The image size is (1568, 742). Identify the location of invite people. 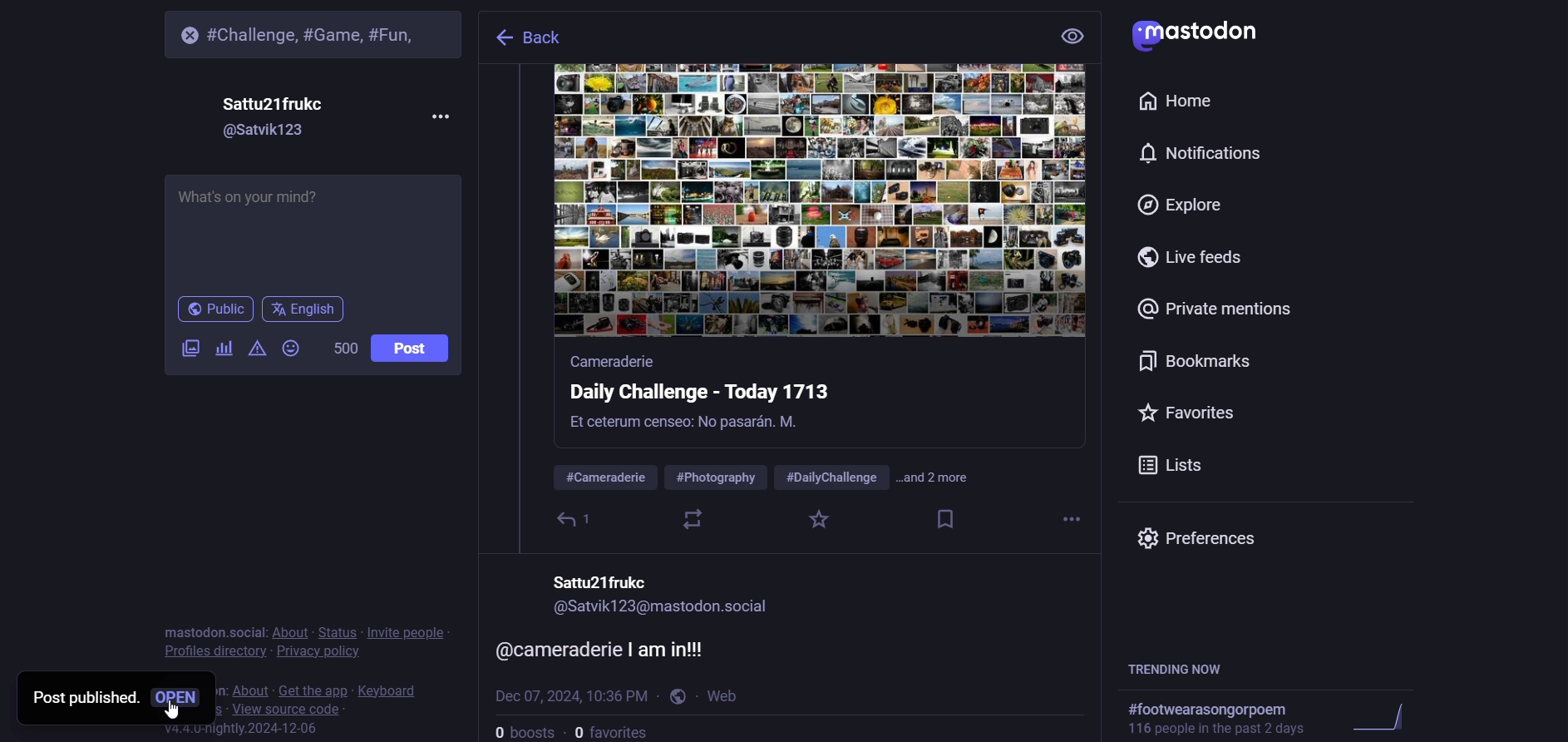
(409, 633).